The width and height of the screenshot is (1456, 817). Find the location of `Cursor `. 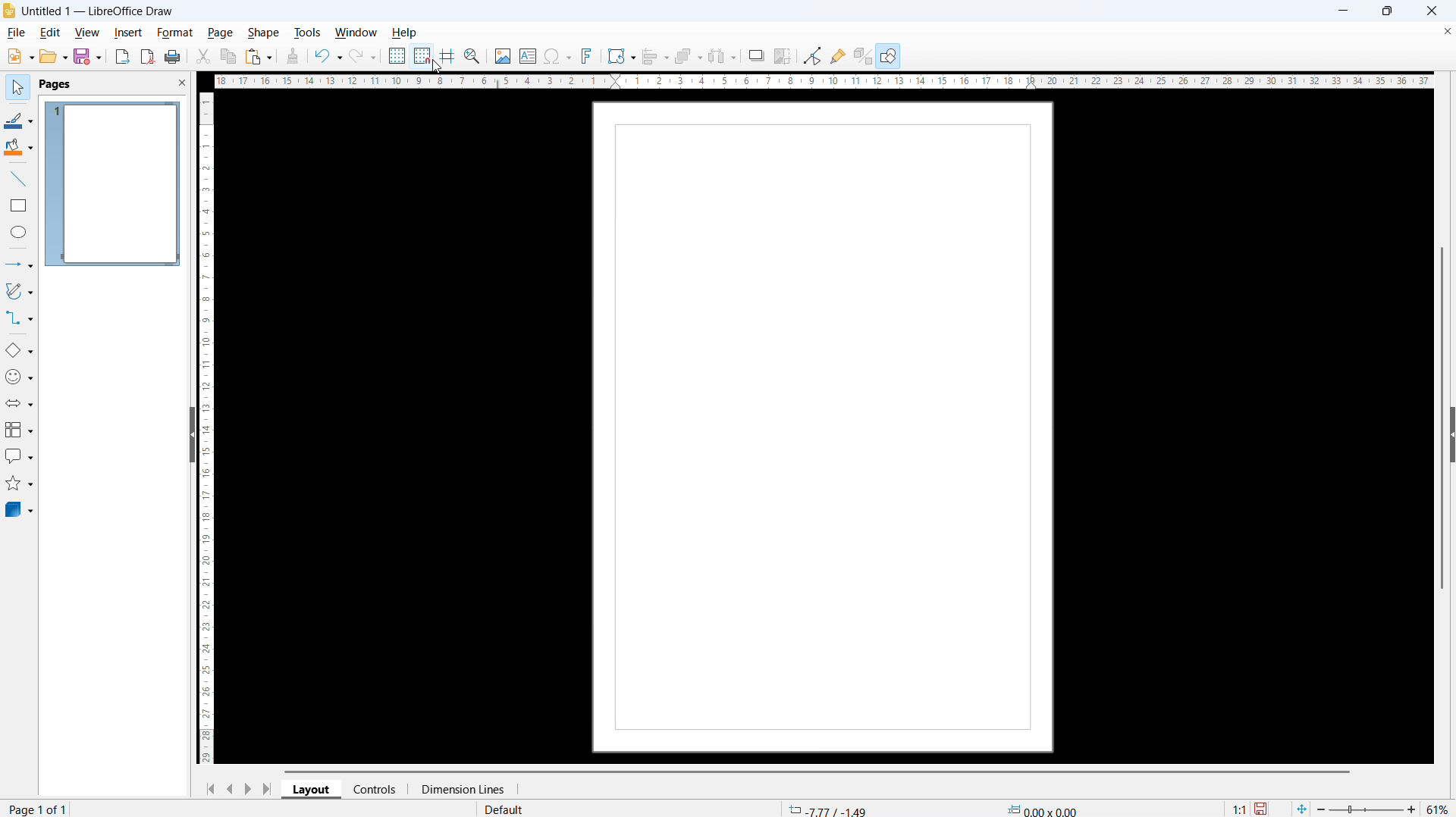

Cursor  is located at coordinates (438, 68).